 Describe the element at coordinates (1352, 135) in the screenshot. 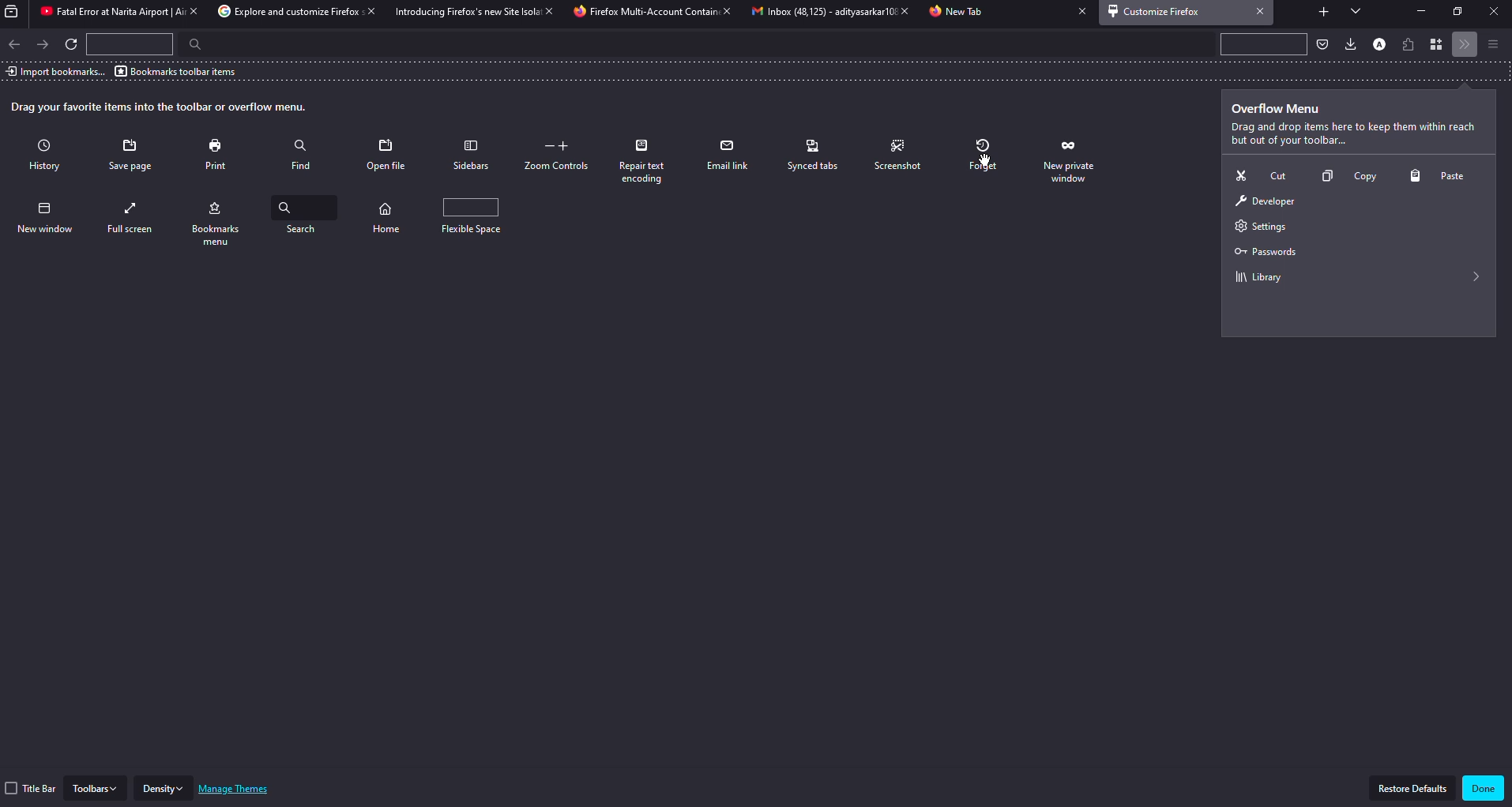

I see `info` at that location.